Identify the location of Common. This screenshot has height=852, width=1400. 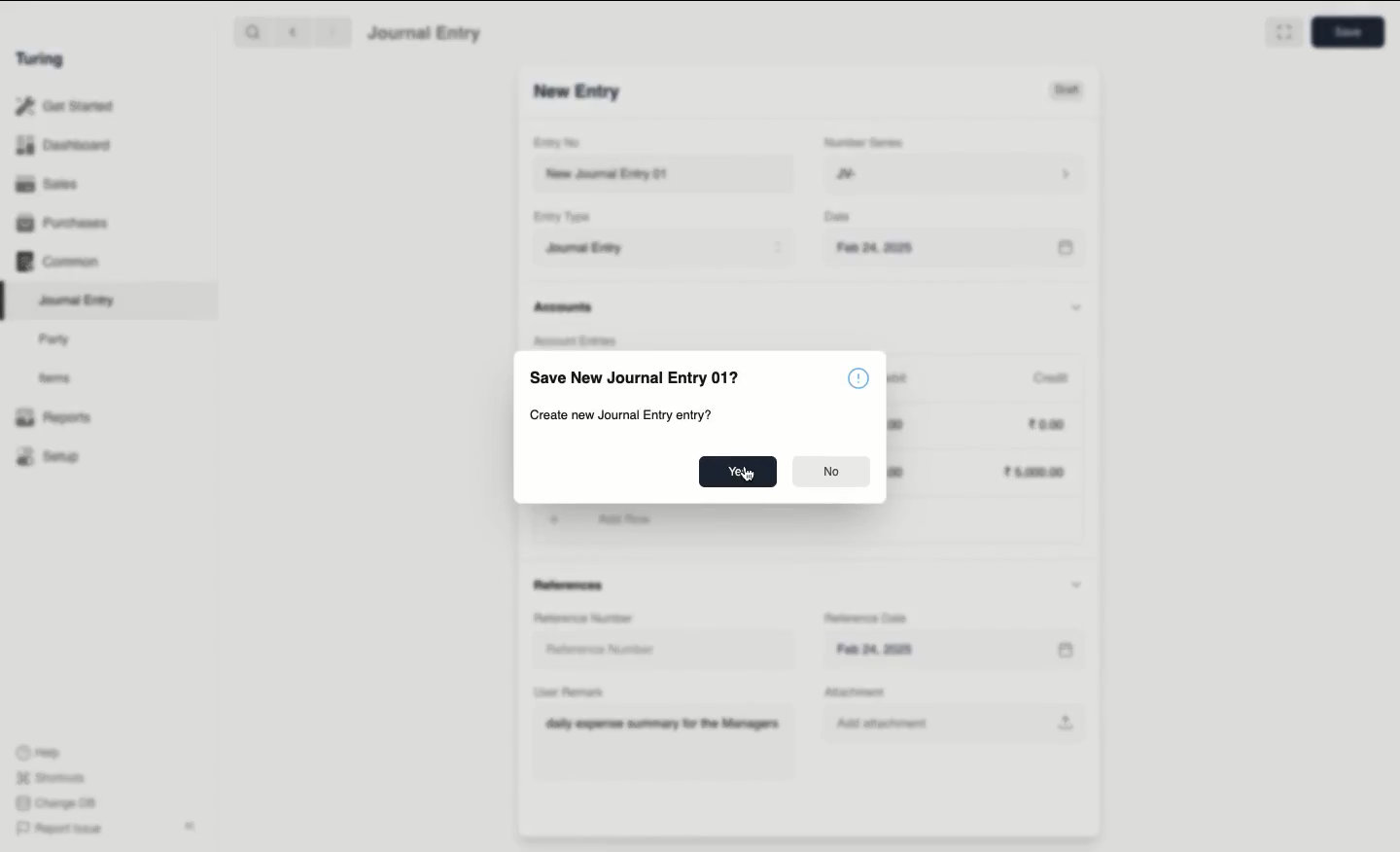
(59, 262).